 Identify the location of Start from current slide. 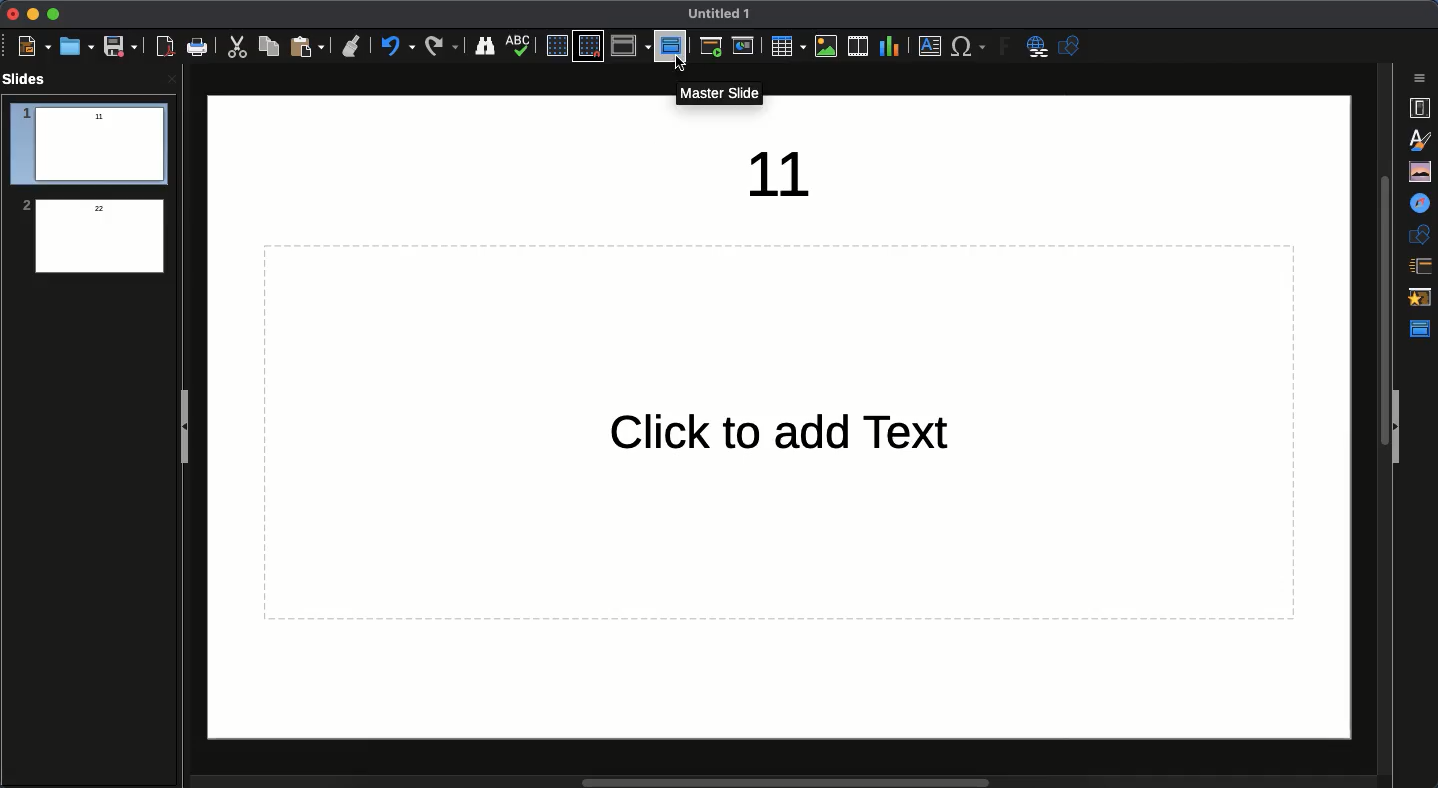
(745, 46).